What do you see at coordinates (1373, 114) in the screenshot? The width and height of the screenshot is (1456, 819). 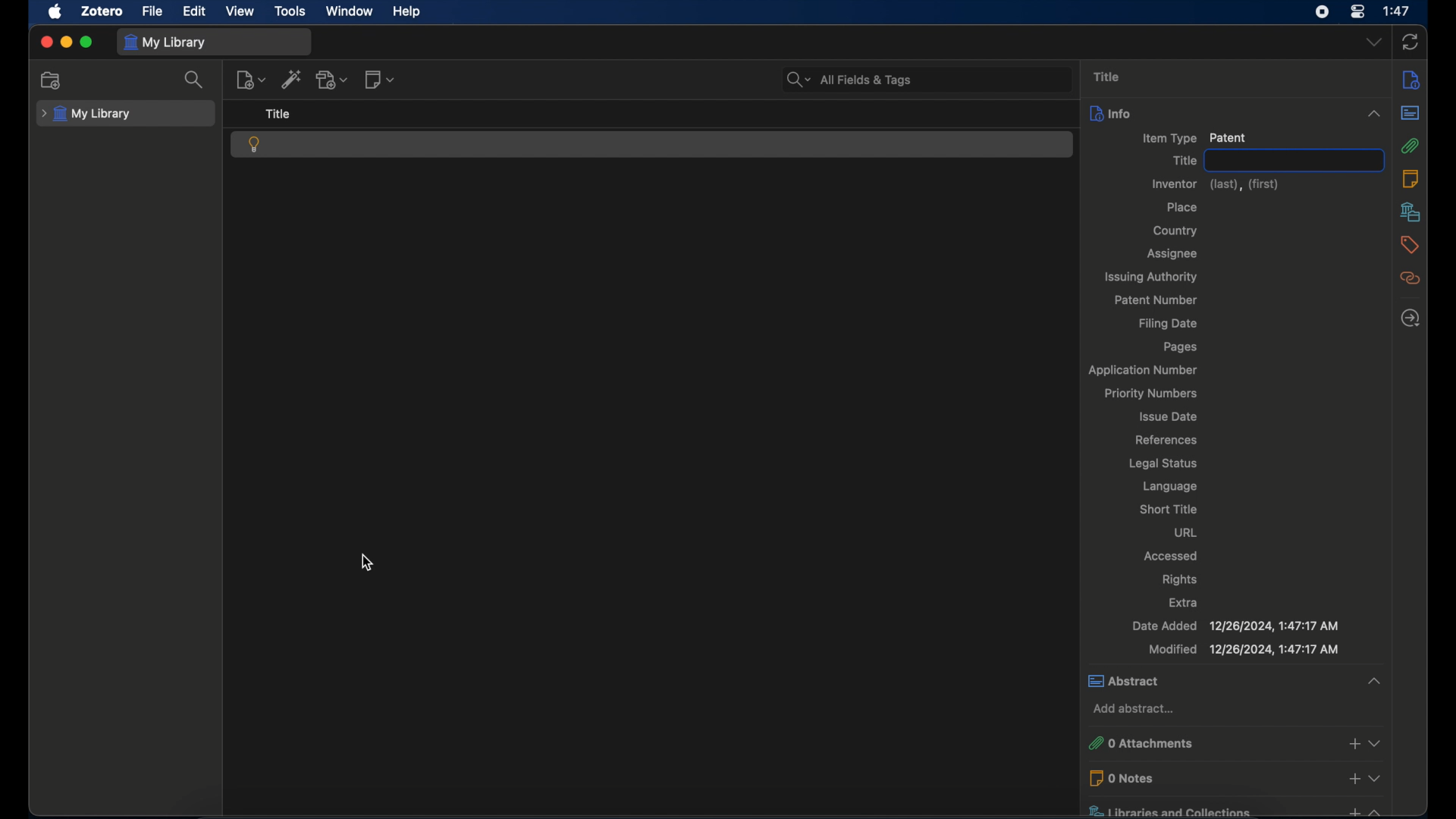 I see `Collapse or expand ` at bounding box center [1373, 114].